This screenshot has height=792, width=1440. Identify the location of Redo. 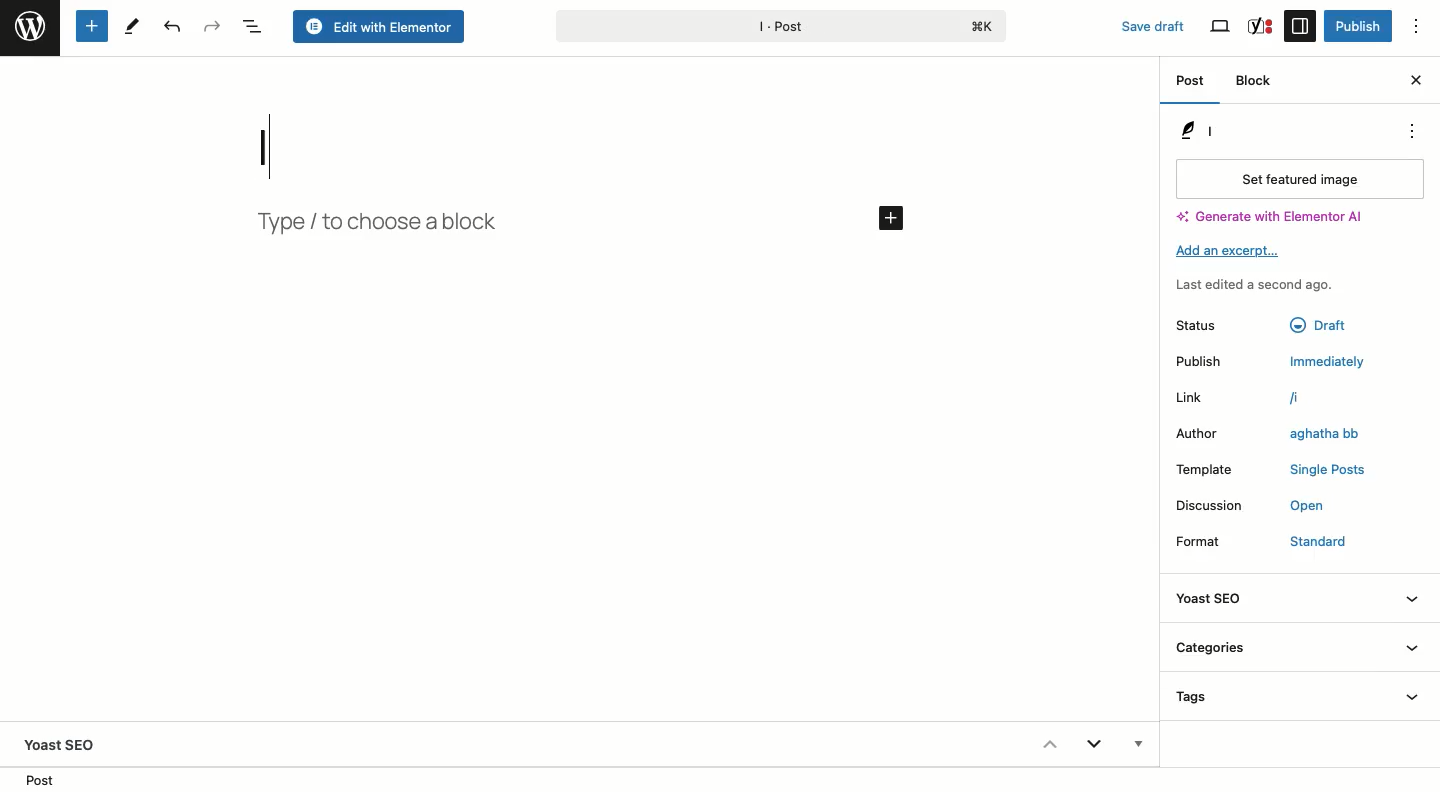
(213, 26).